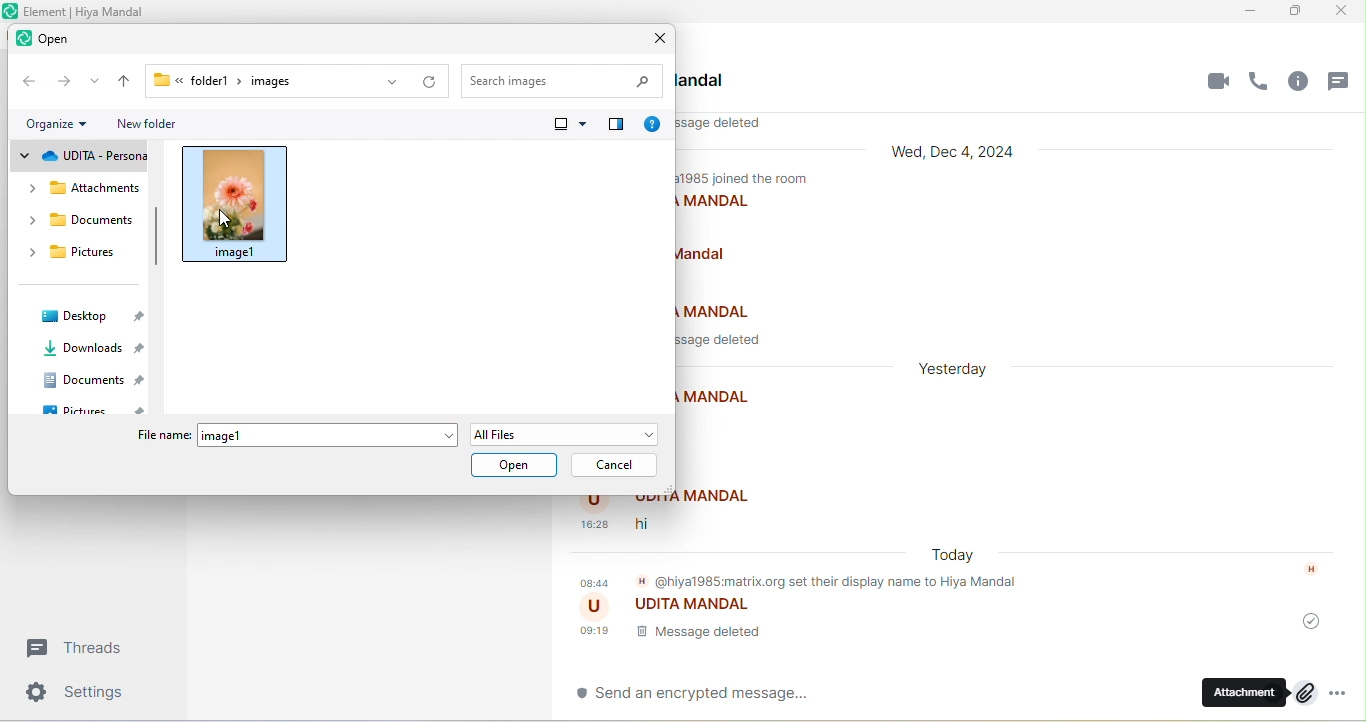 Image resolution: width=1366 pixels, height=722 pixels. What do you see at coordinates (563, 434) in the screenshot?
I see `all file` at bounding box center [563, 434].